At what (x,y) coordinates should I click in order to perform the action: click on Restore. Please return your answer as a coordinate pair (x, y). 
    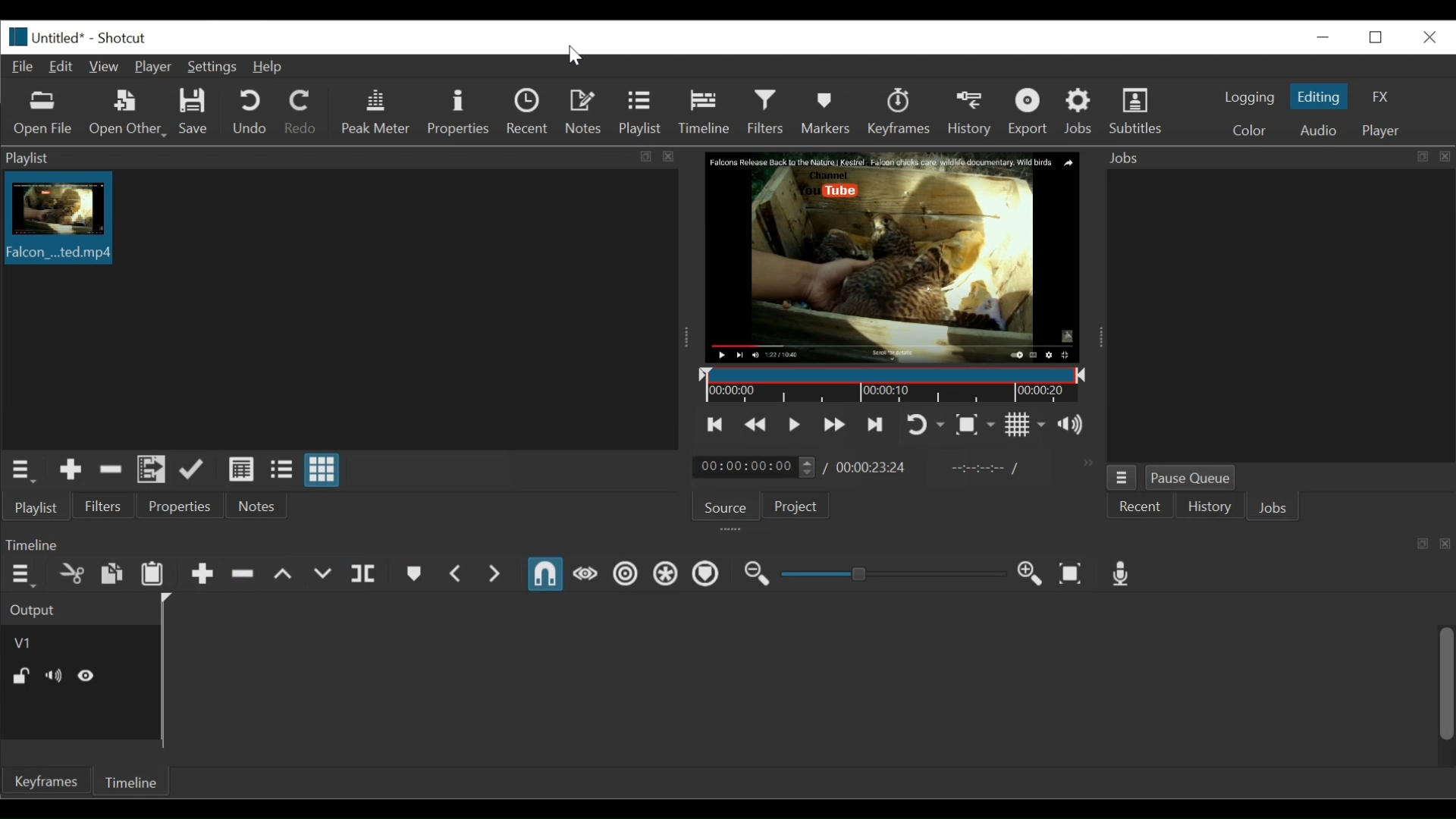
    Looking at the image, I should click on (1373, 37).